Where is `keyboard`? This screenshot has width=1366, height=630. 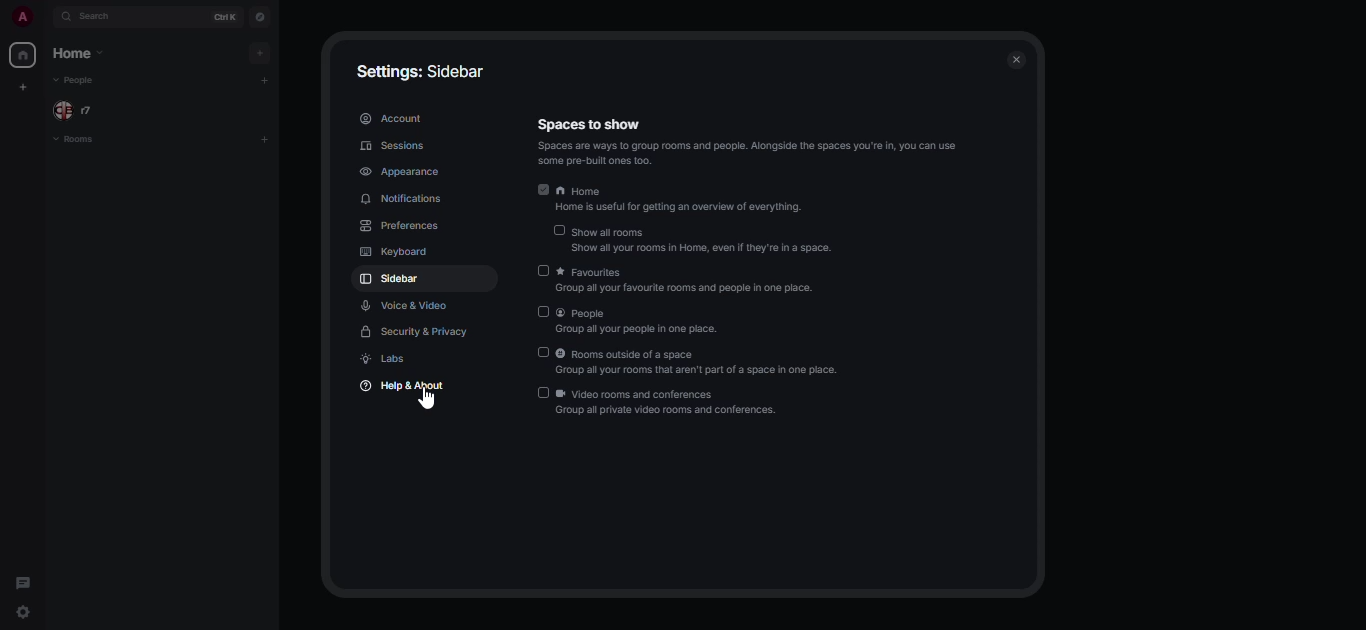 keyboard is located at coordinates (396, 252).